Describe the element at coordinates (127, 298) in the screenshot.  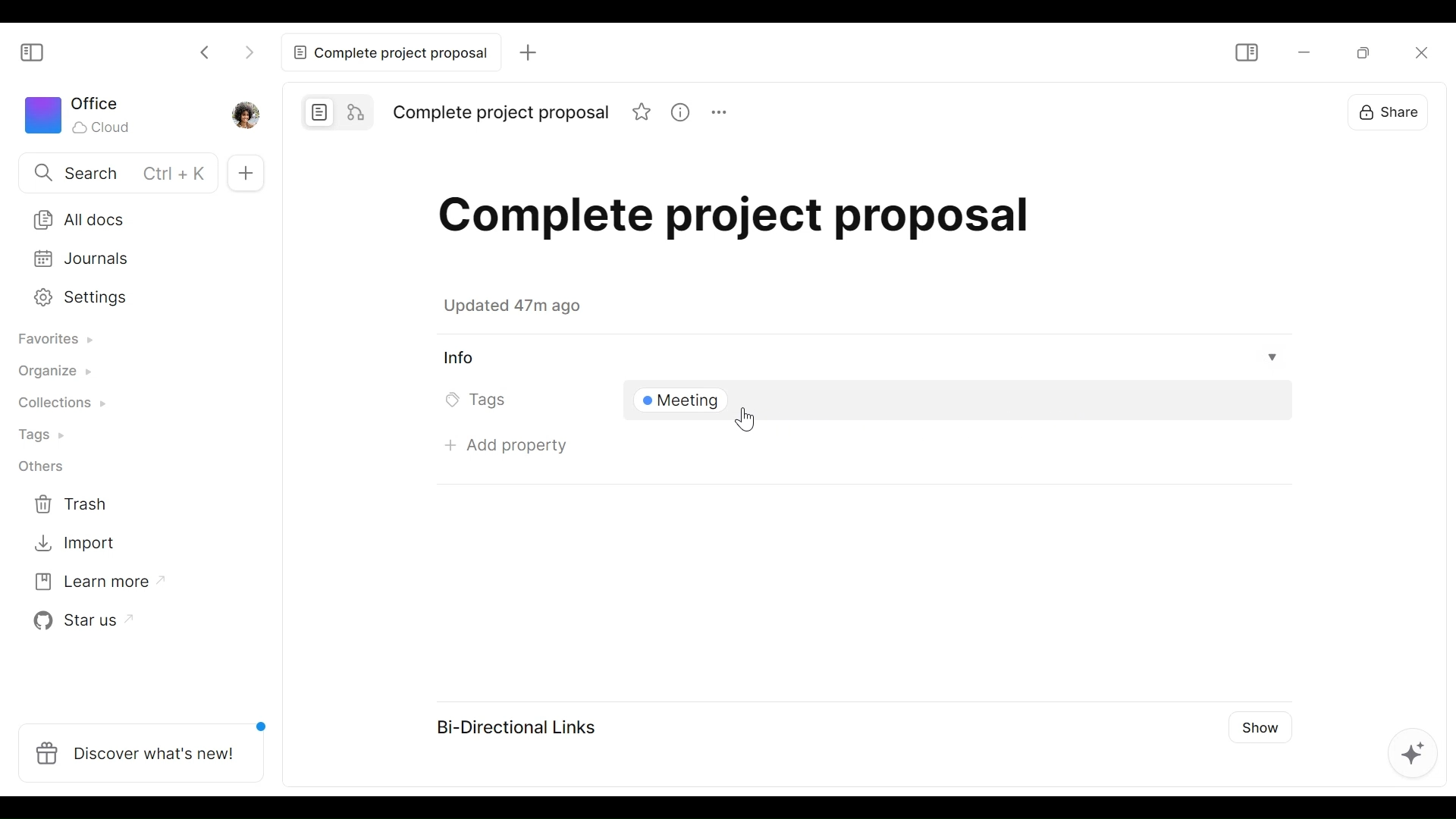
I see `Settings` at that location.